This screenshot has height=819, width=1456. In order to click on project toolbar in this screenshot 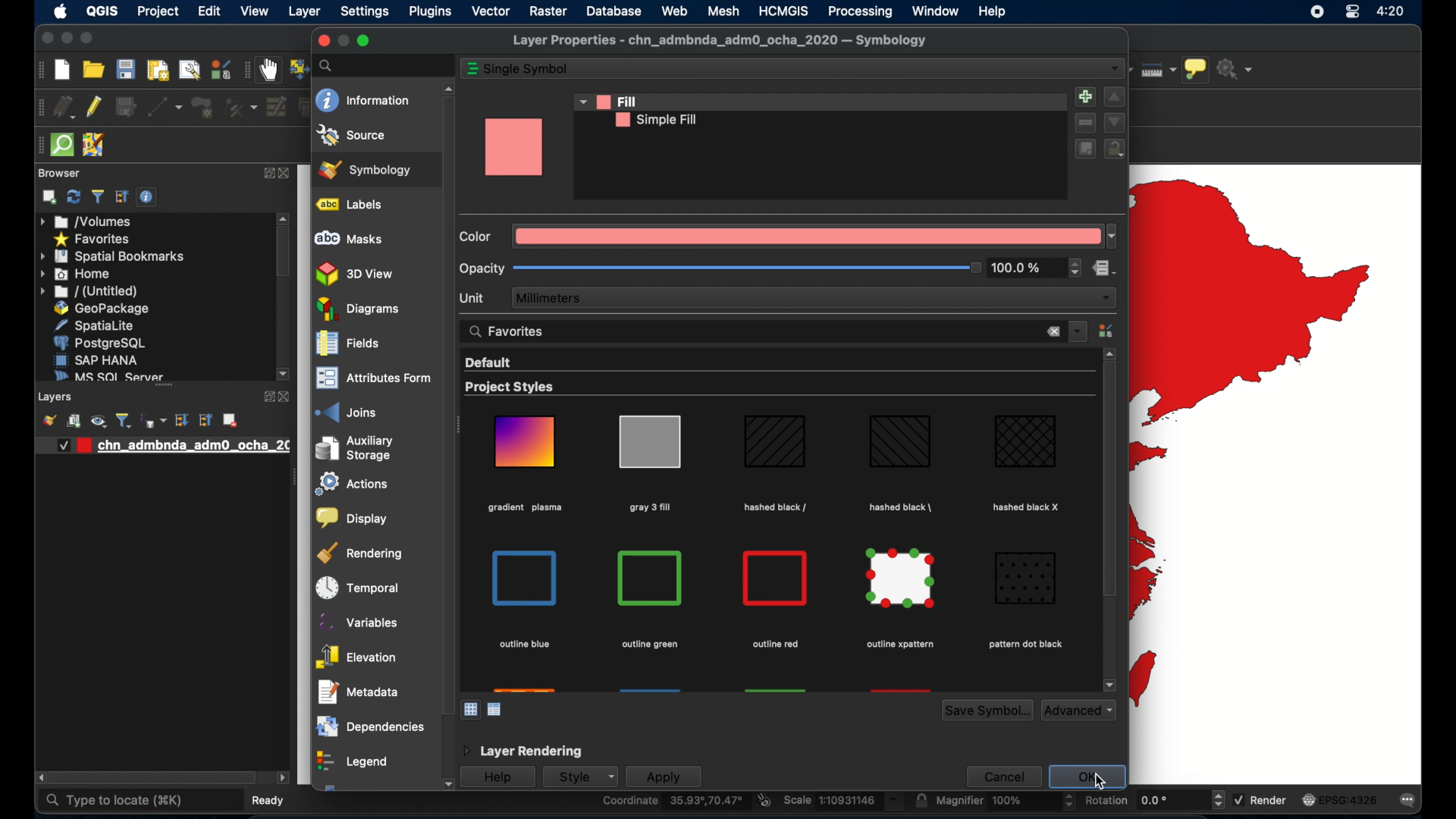, I will do `click(39, 70)`.